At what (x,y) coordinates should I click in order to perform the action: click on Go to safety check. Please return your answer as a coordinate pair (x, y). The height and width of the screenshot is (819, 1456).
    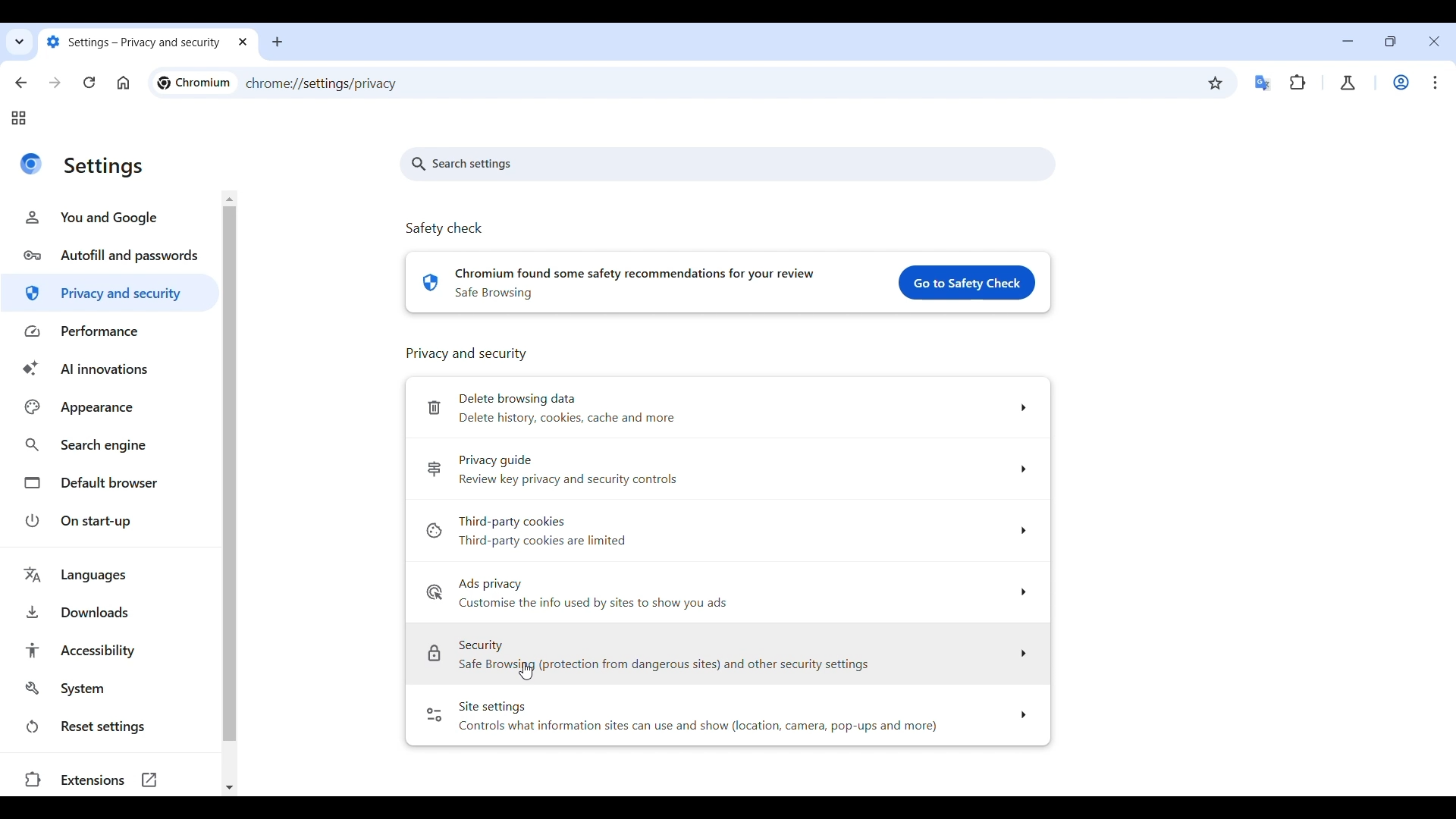
    Looking at the image, I should click on (968, 283).